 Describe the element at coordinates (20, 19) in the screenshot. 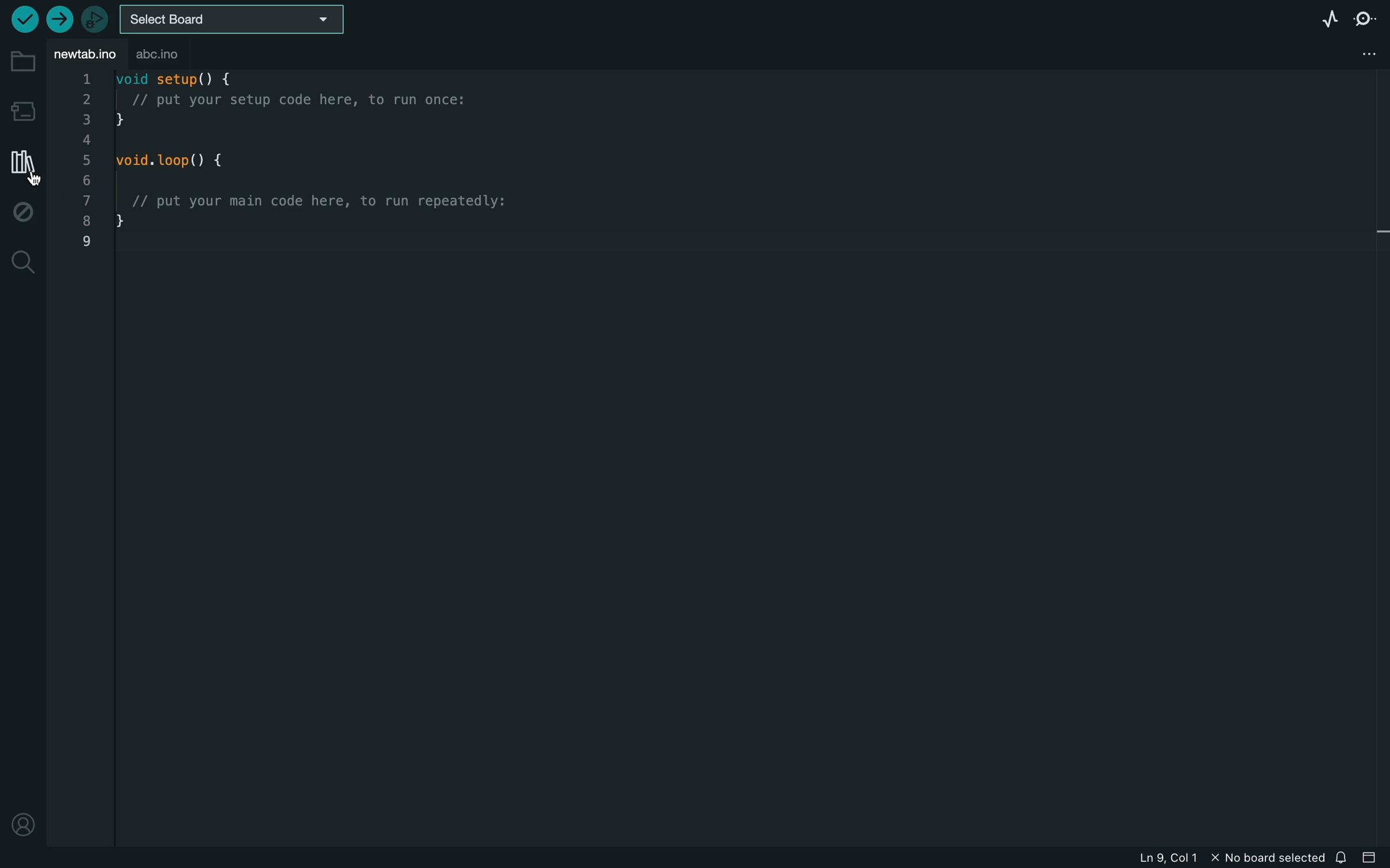

I see `verify` at that location.